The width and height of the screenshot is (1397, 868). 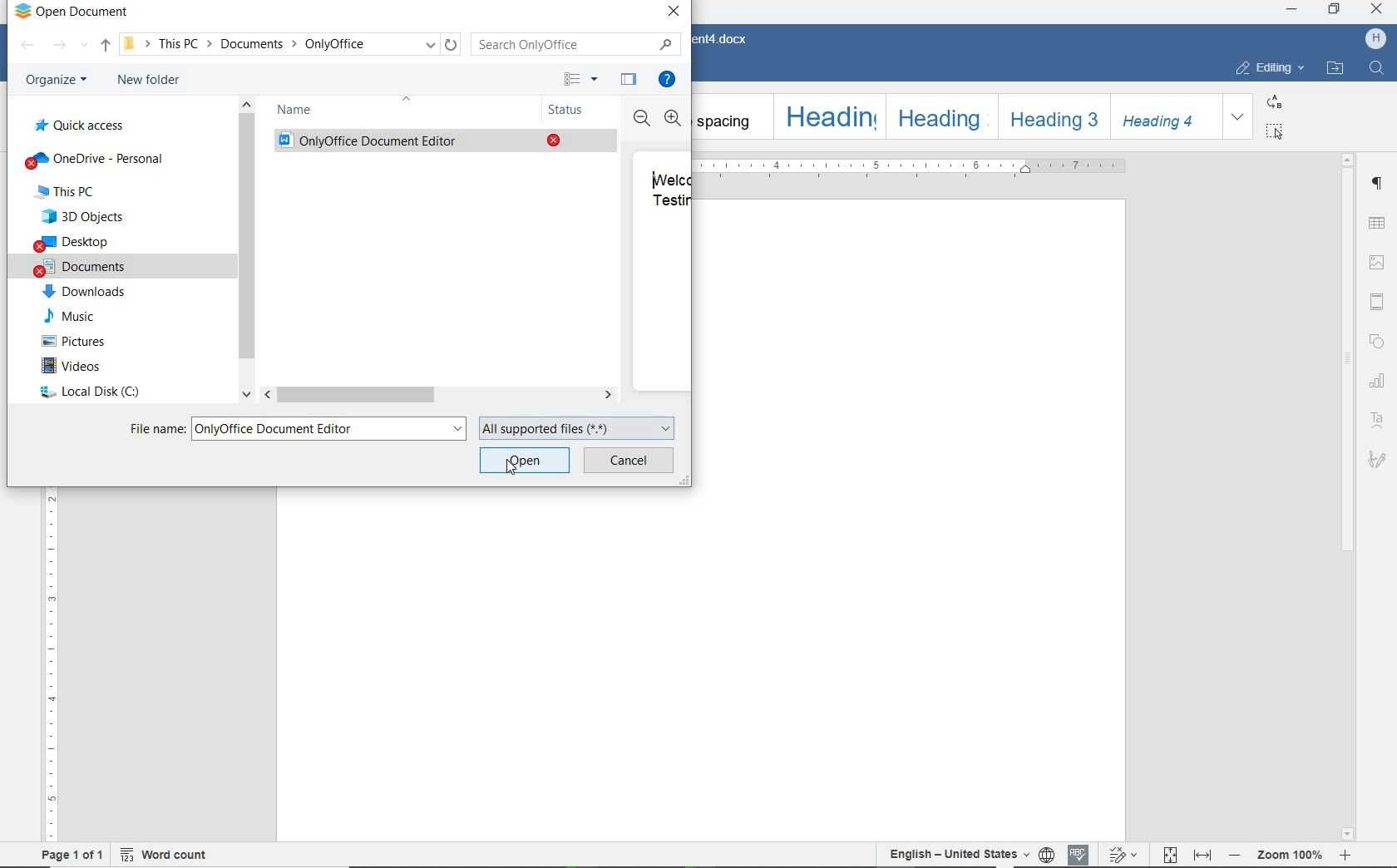 What do you see at coordinates (1271, 67) in the screenshot?
I see `EDITING` at bounding box center [1271, 67].